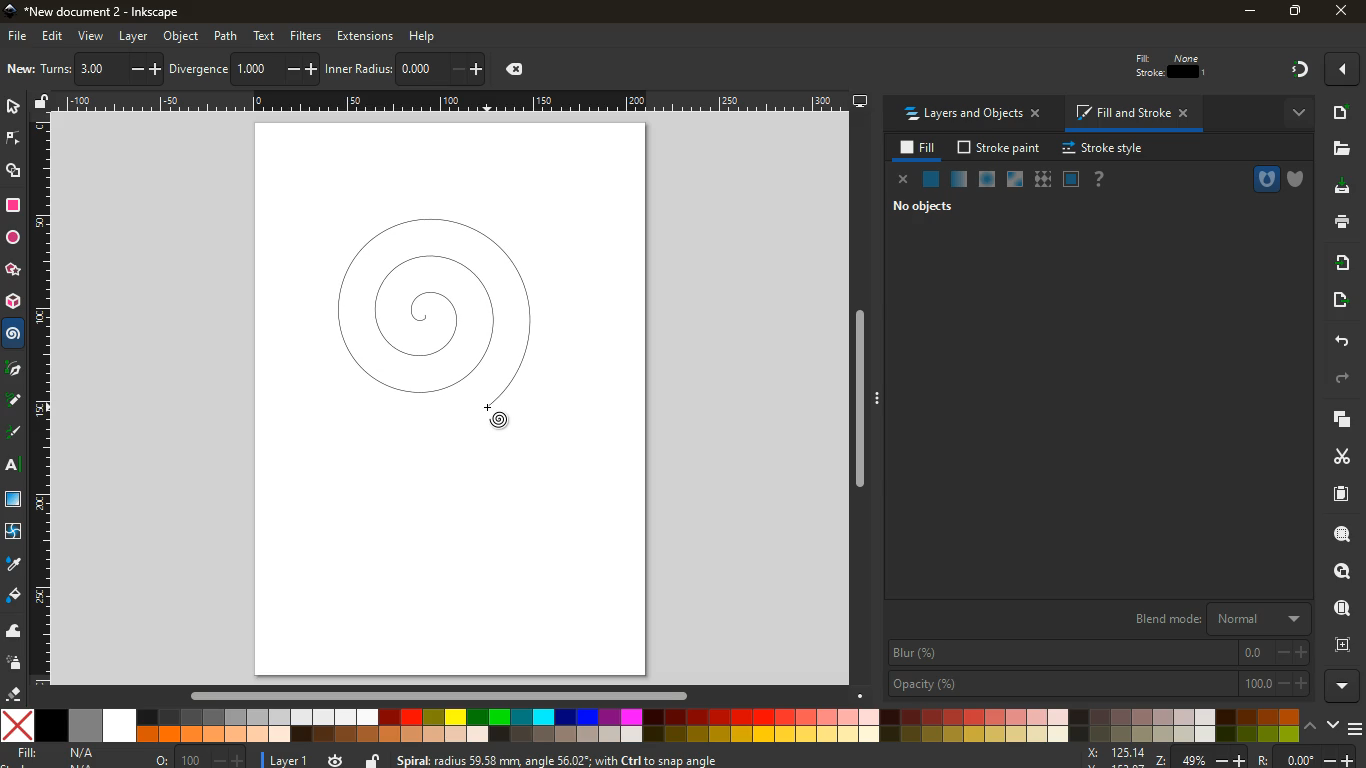  I want to click on inkscape, so click(109, 12).